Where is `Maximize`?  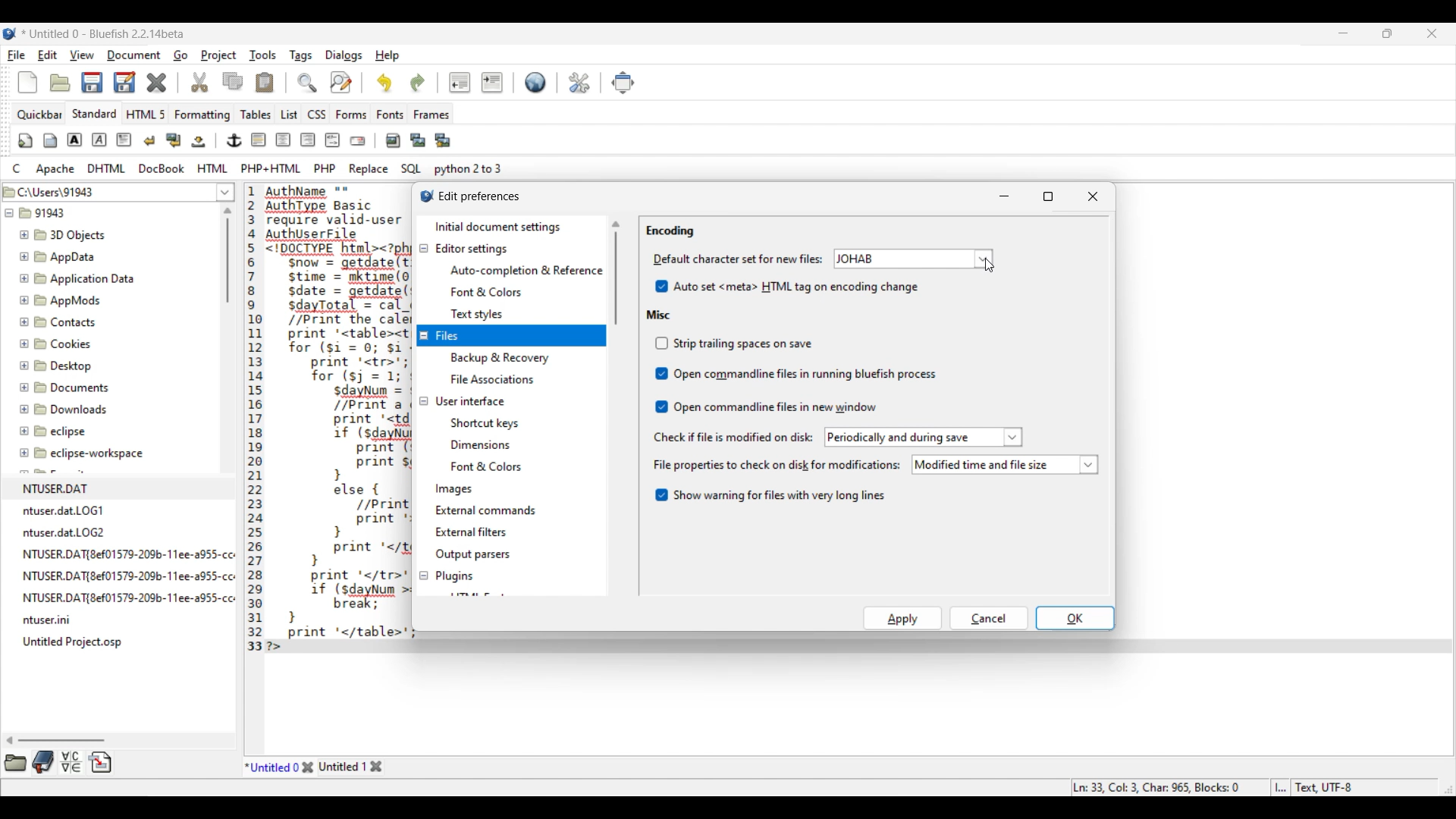
Maximize is located at coordinates (1052, 197).